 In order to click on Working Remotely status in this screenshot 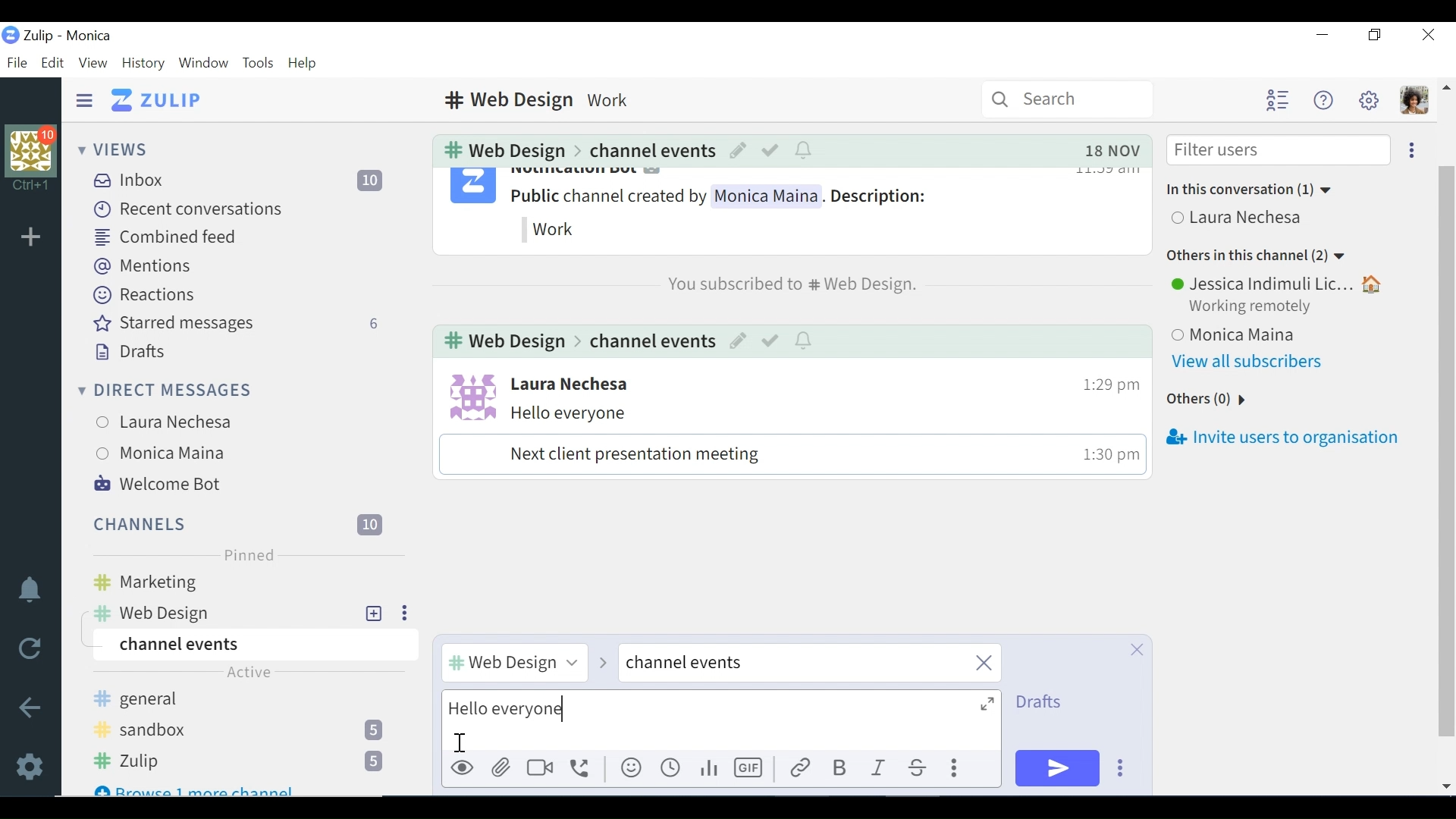, I will do `click(1255, 307)`.